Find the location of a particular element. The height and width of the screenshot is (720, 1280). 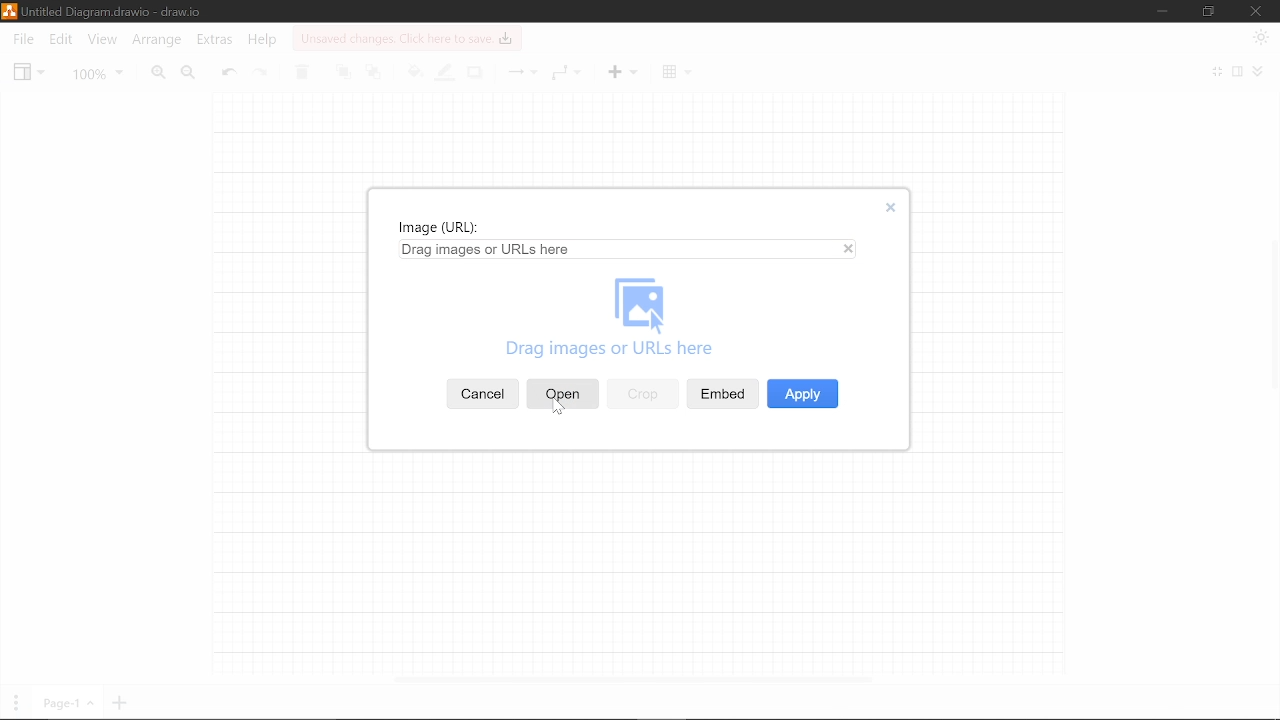

View is located at coordinates (29, 71).